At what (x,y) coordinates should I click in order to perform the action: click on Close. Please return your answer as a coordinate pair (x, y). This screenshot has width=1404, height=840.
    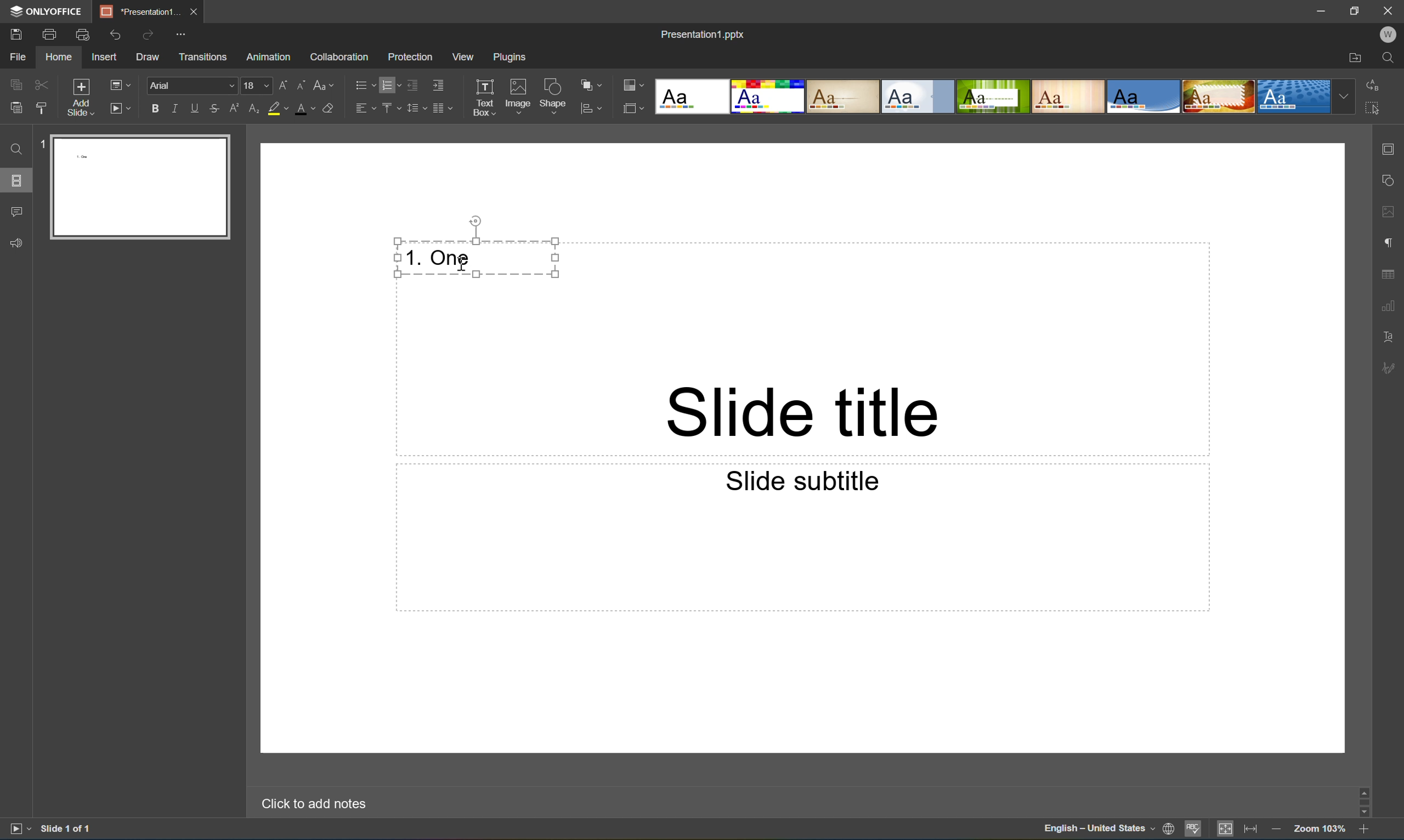
    Looking at the image, I should click on (1391, 10).